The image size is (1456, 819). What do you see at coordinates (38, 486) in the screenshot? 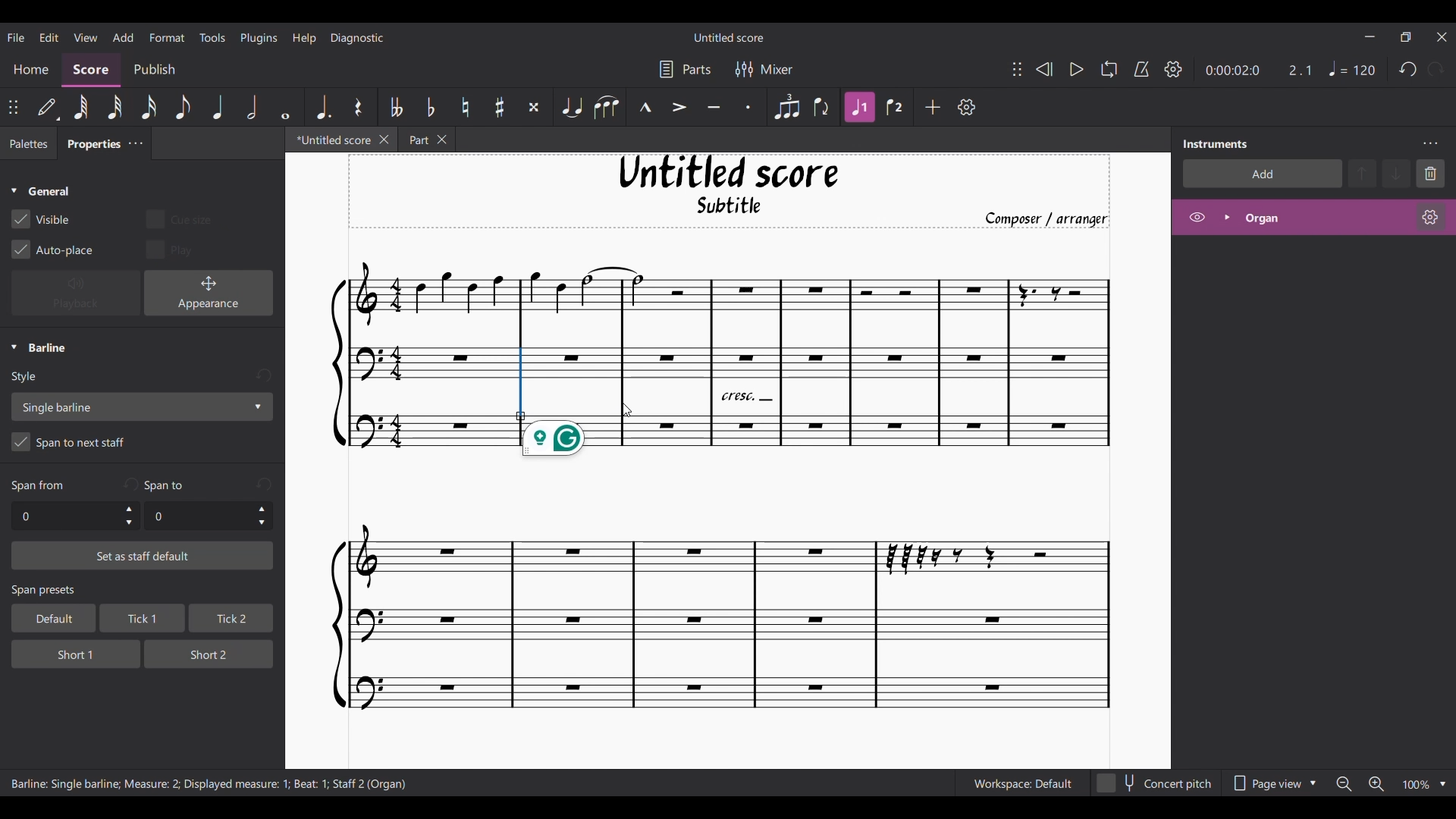
I see `Indicates text space for Span from` at bounding box center [38, 486].